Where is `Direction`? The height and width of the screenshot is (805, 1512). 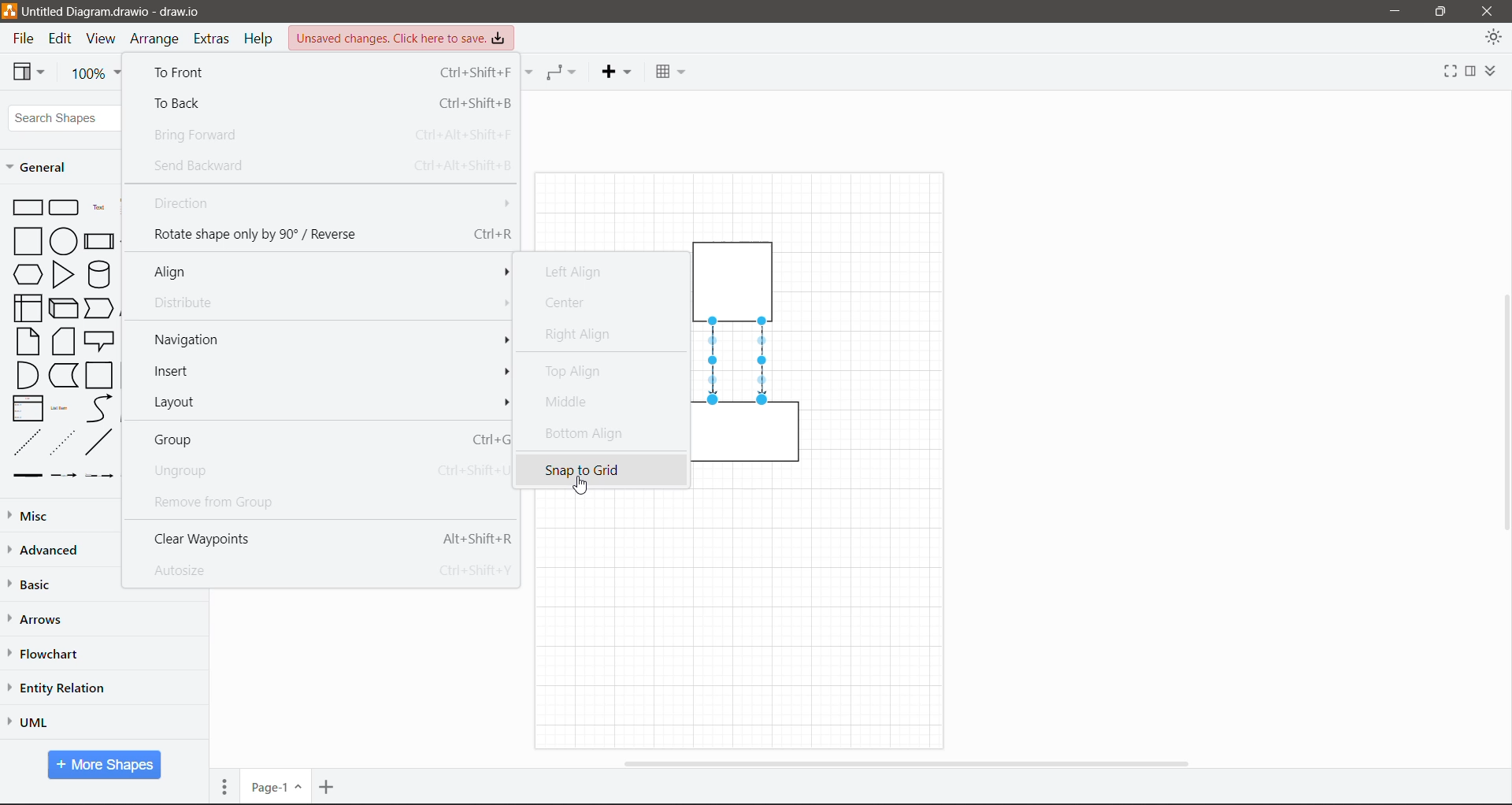 Direction is located at coordinates (328, 203).